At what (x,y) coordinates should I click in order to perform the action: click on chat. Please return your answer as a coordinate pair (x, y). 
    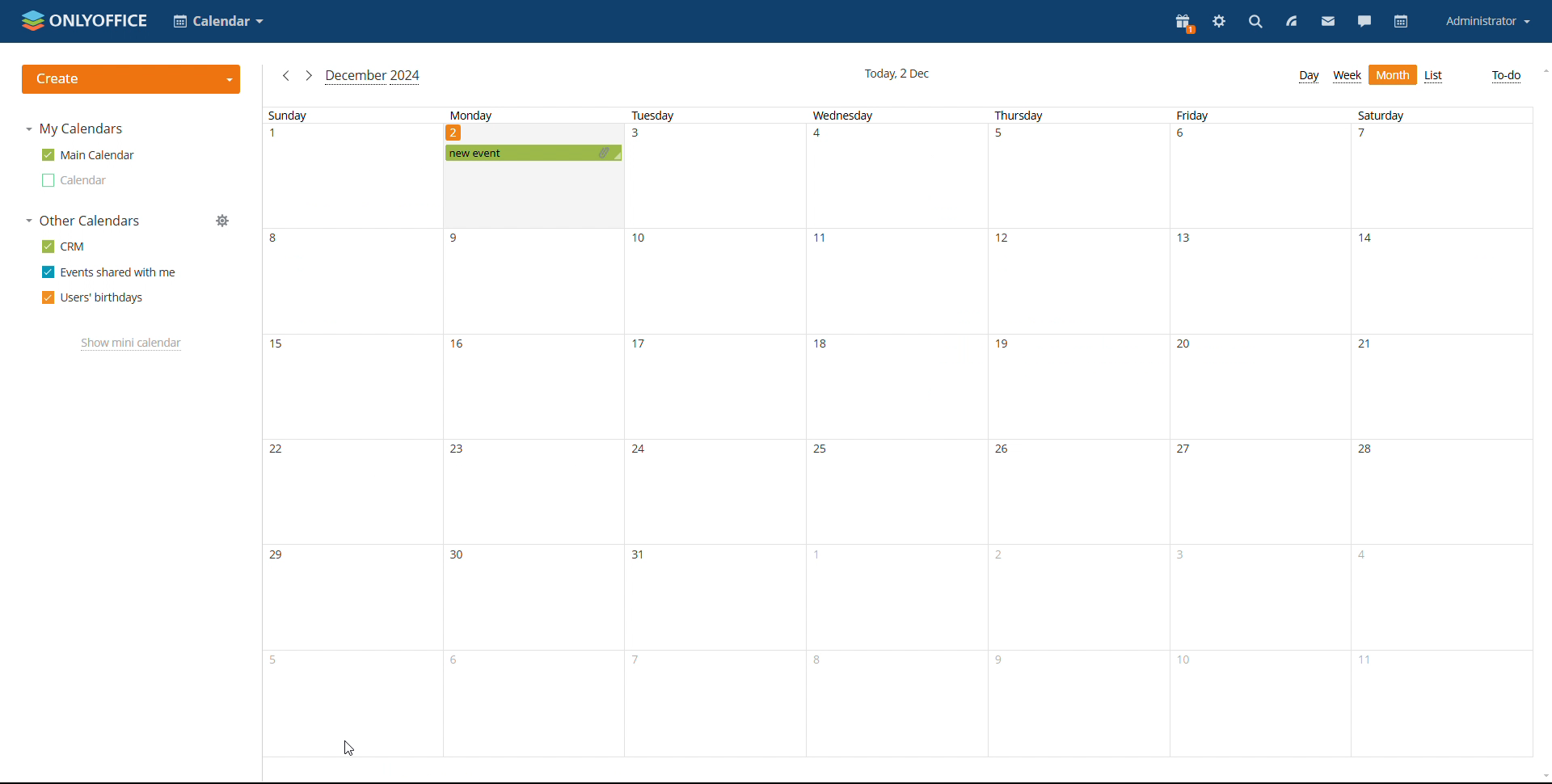
    Looking at the image, I should click on (1365, 23).